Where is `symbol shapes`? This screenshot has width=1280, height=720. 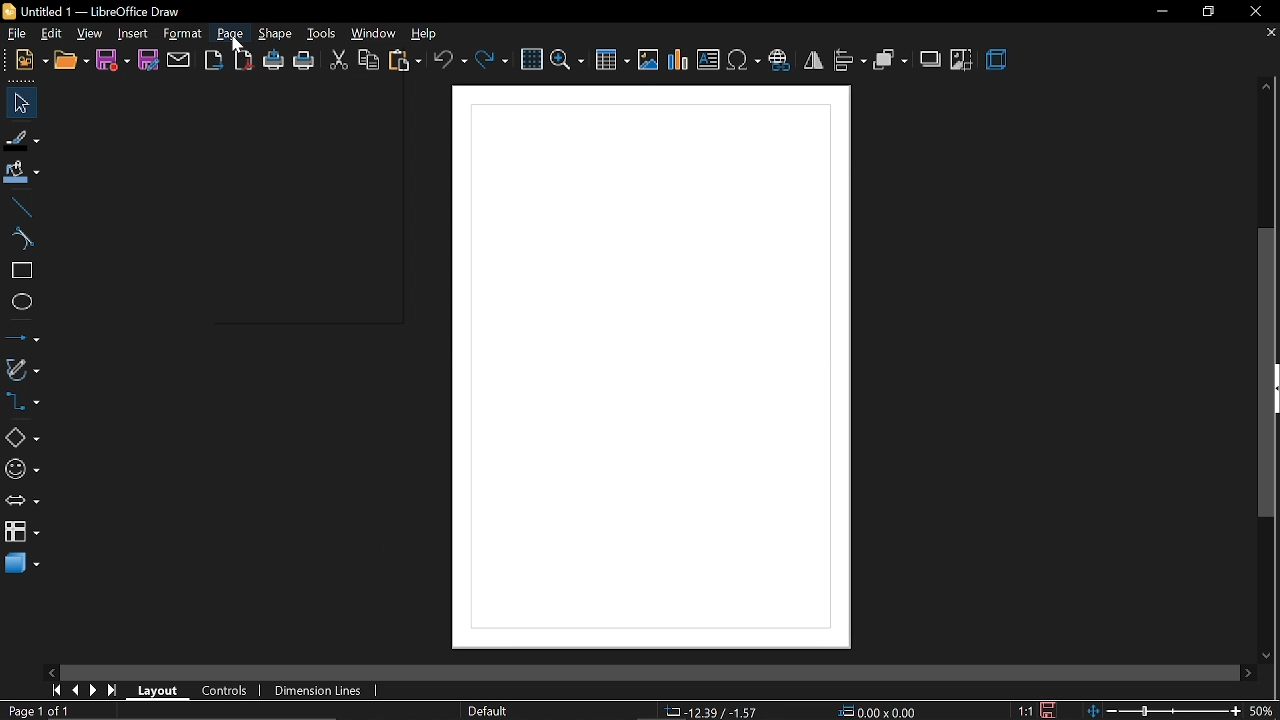
symbol shapes is located at coordinates (22, 472).